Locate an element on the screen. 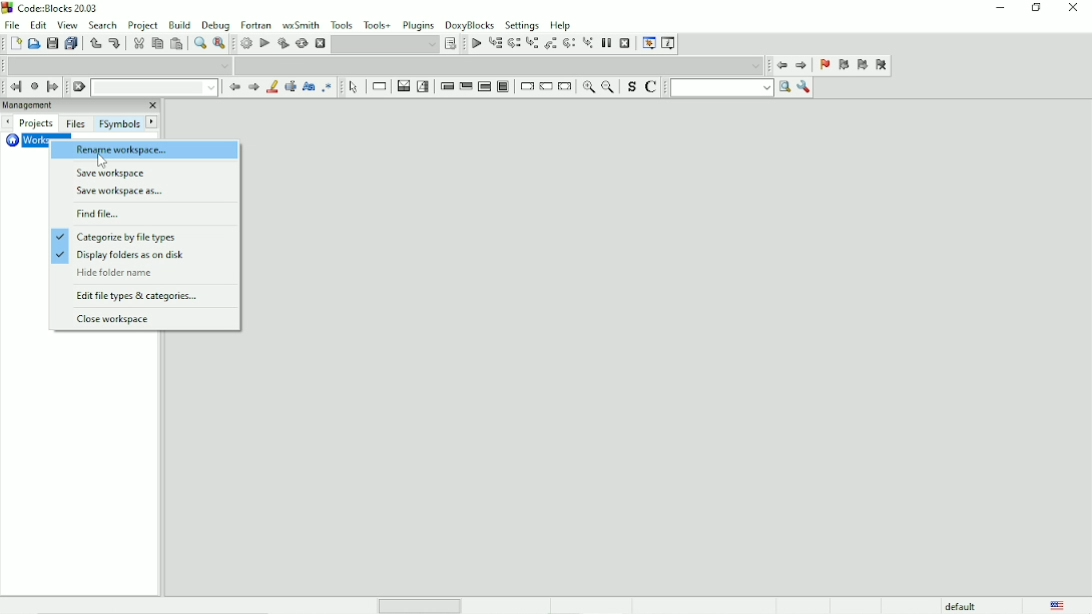 Image resolution: width=1092 pixels, height=614 pixels. Fortran is located at coordinates (256, 24).